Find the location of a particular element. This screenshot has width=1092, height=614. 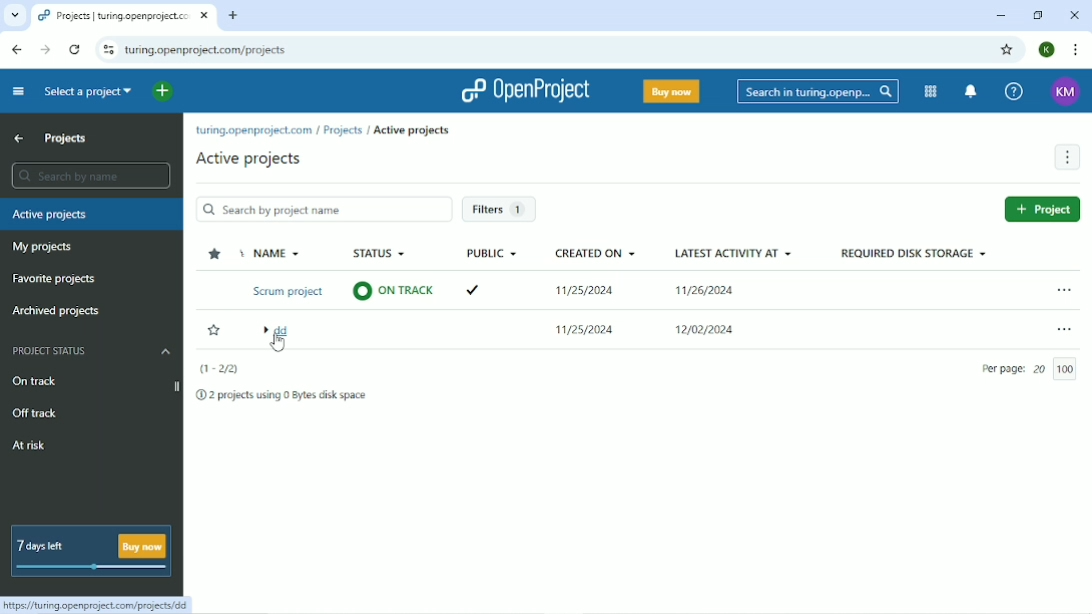

Select a project is located at coordinates (87, 94).